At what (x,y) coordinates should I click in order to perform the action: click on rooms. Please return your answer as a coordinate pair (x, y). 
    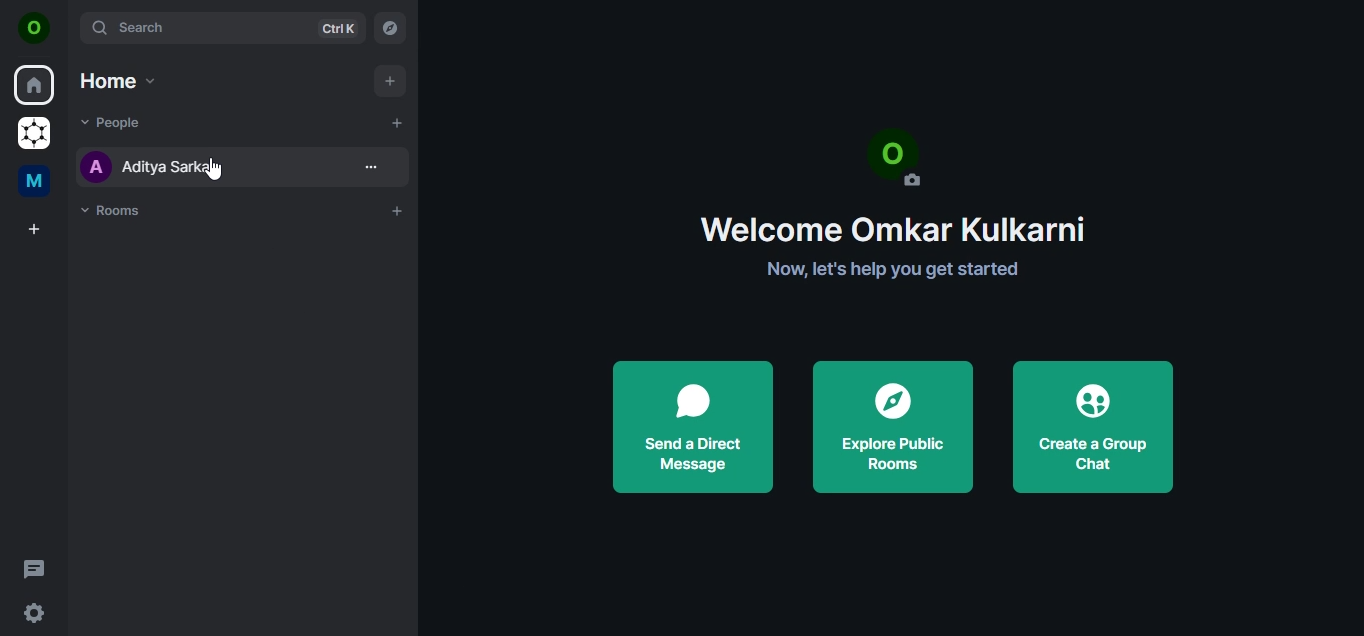
    Looking at the image, I should click on (114, 213).